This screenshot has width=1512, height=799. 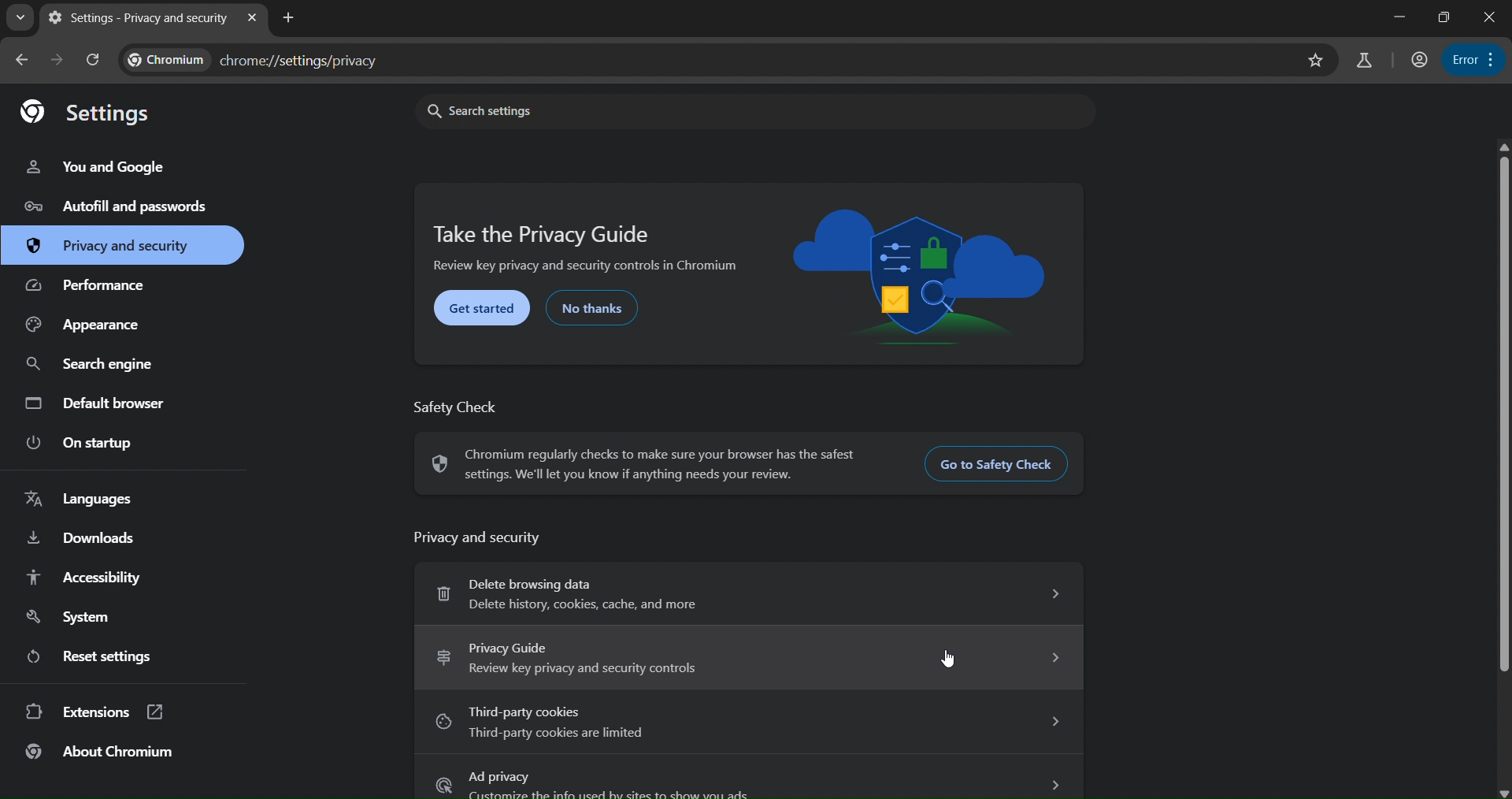 What do you see at coordinates (71, 617) in the screenshot?
I see `system` at bounding box center [71, 617].